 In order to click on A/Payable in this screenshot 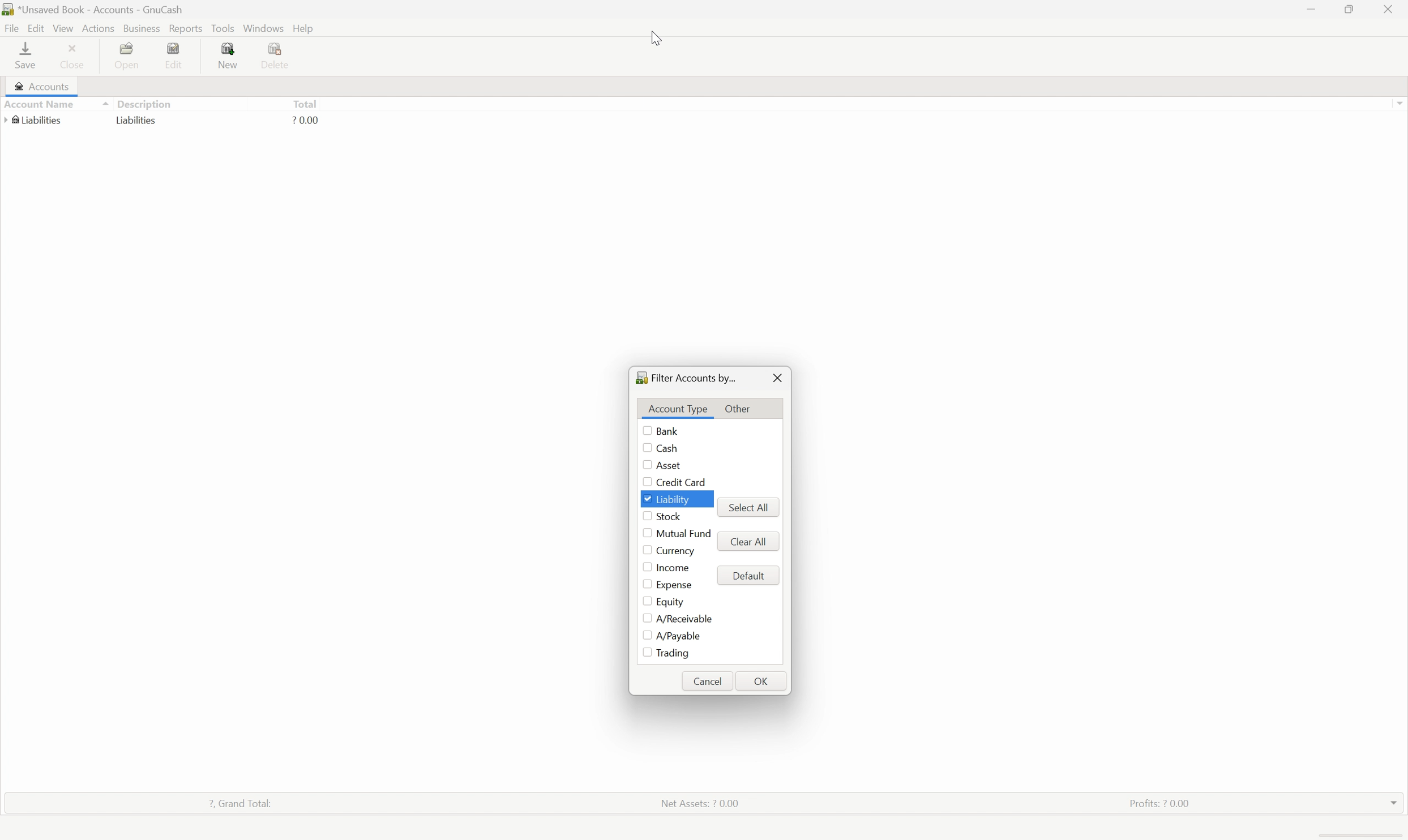, I will do `click(679, 637)`.